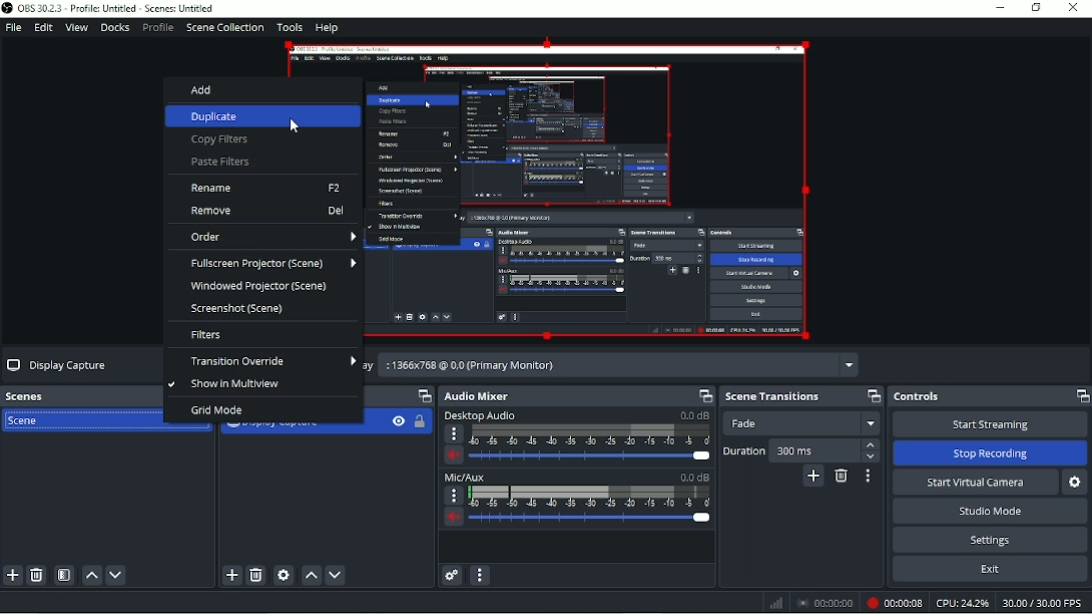  I want to click on Copy Filters, so click(219, 140).